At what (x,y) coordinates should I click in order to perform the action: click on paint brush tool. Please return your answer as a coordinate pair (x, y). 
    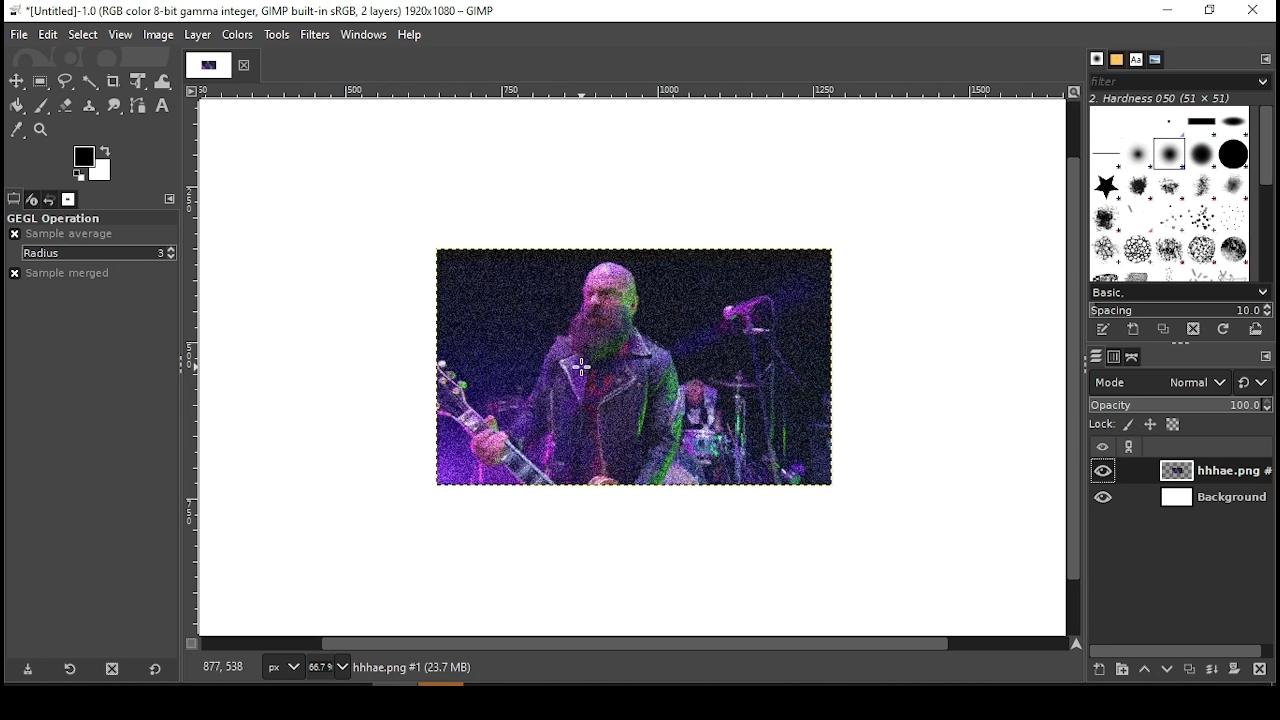
    Looking at the image, I should click on (40, 104).